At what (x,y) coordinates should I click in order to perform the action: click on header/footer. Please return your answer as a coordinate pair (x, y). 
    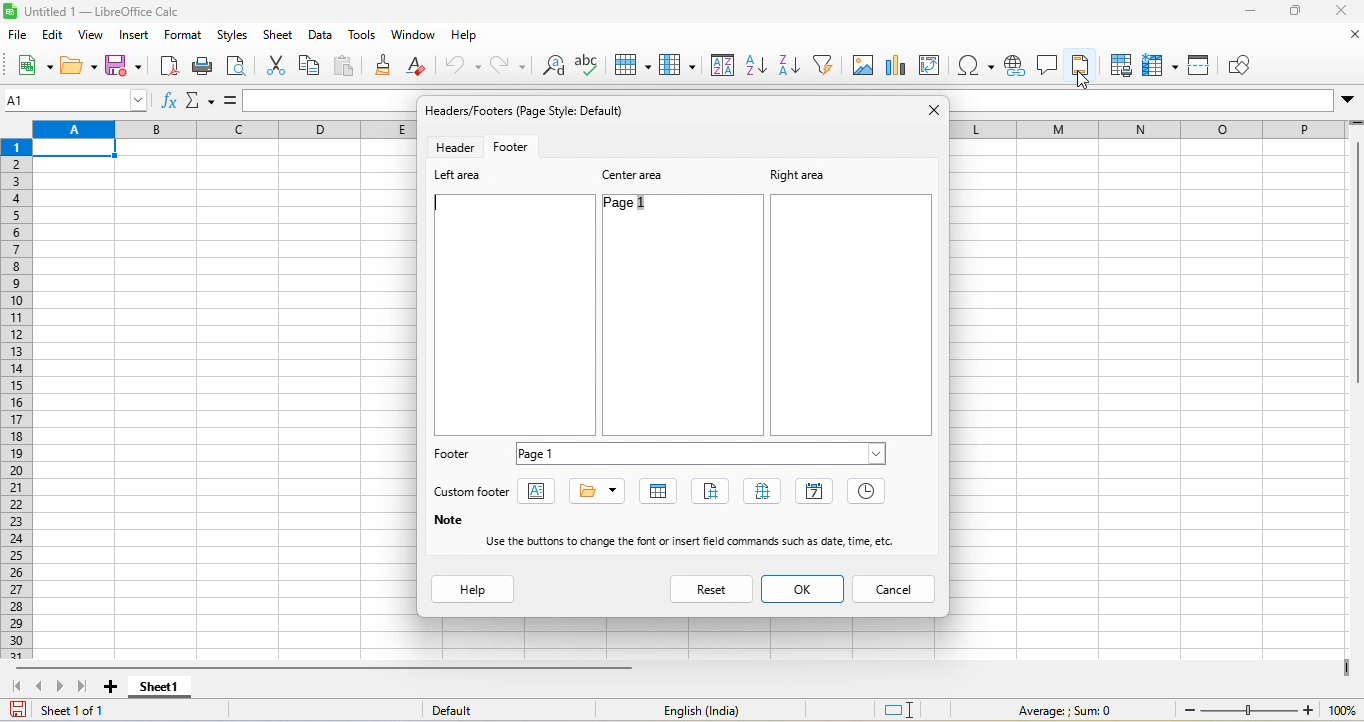
    Looking at the image, I should click on (532, 110).